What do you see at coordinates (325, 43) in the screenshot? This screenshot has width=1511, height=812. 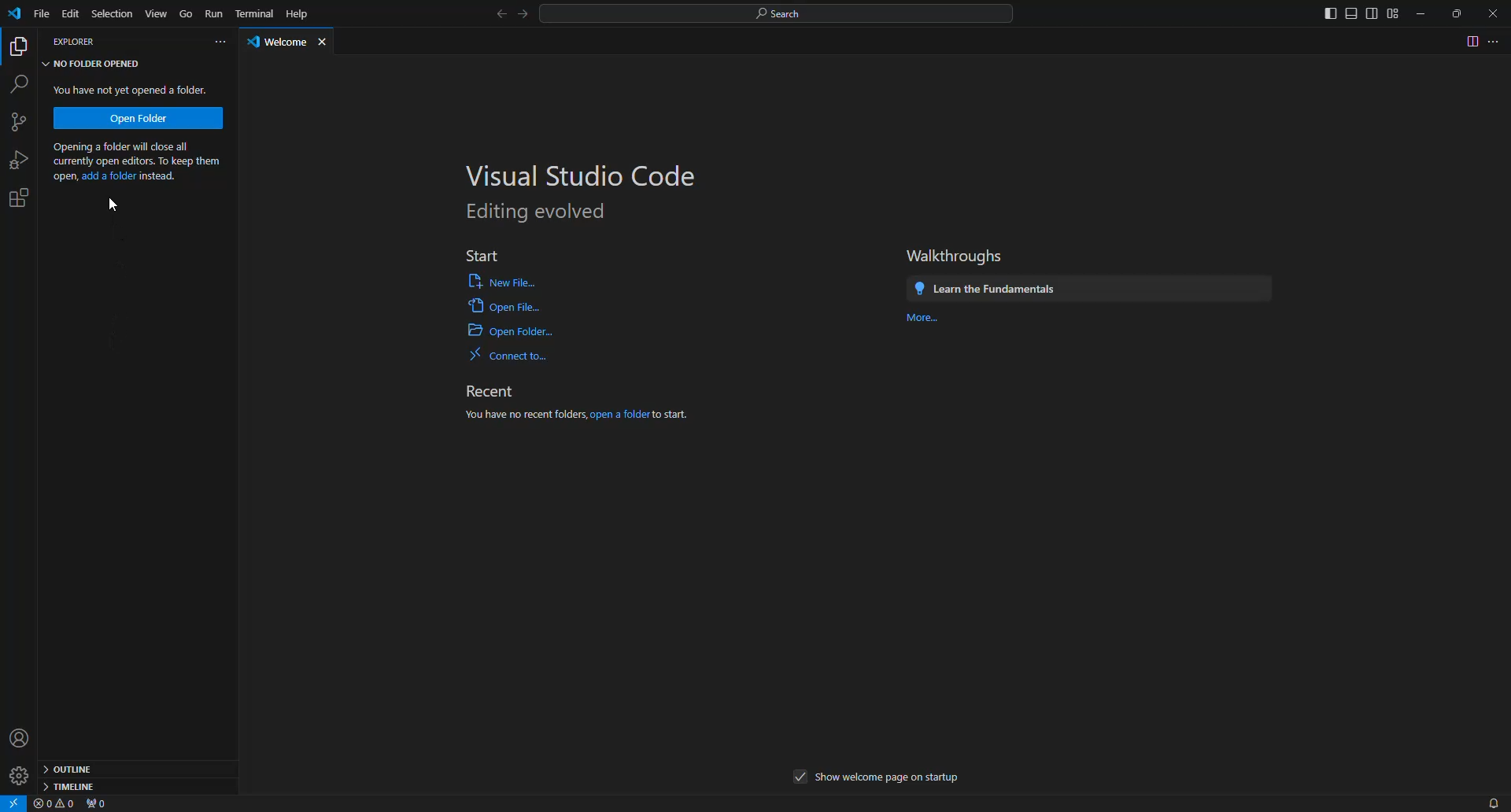 I see `close` at bounding box center [325, 43].